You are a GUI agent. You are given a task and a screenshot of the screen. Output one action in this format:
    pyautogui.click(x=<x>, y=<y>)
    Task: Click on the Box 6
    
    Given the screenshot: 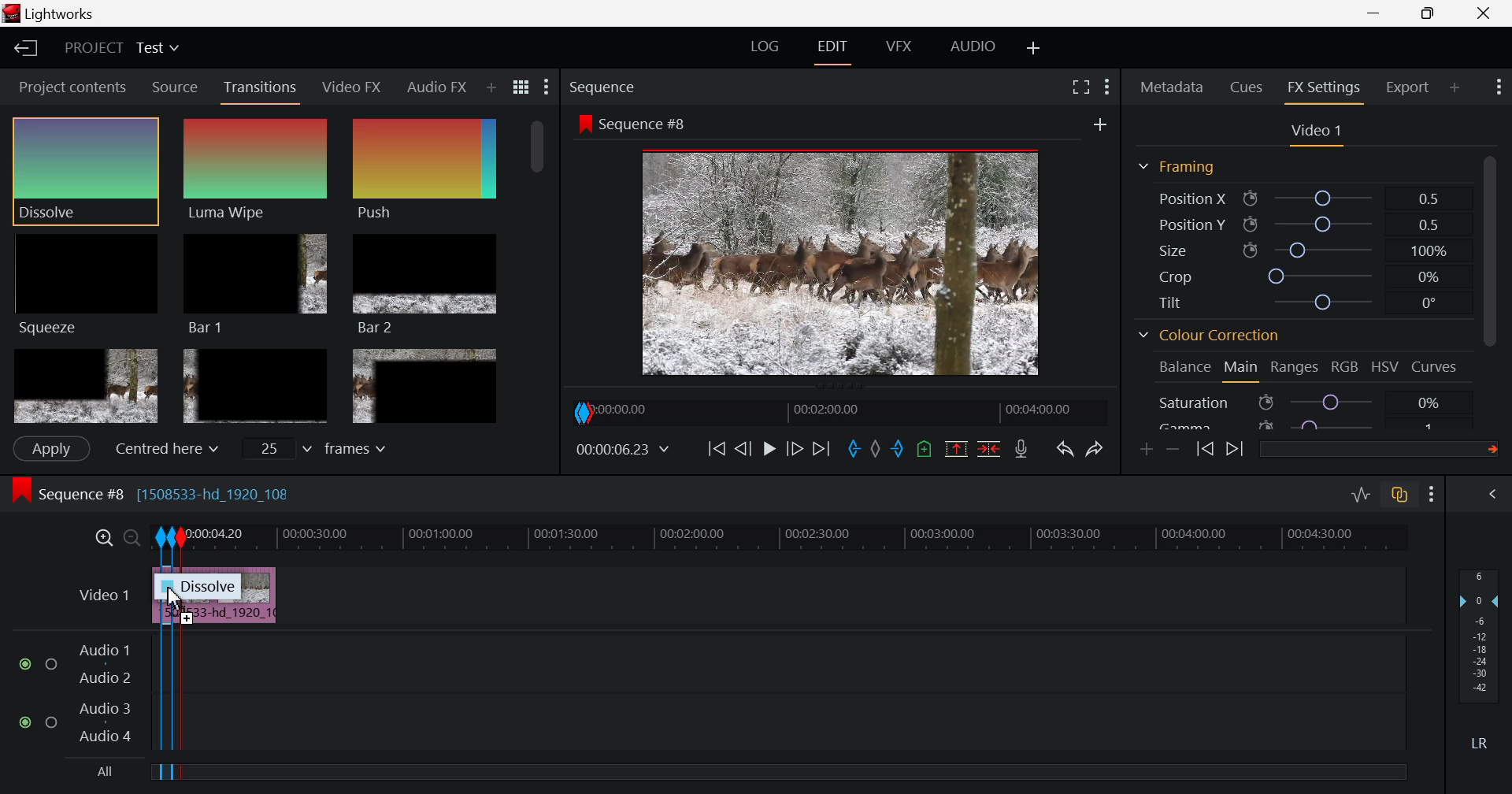 What is the action you would take?
    pyautogui.click(x=424, y=386)
    